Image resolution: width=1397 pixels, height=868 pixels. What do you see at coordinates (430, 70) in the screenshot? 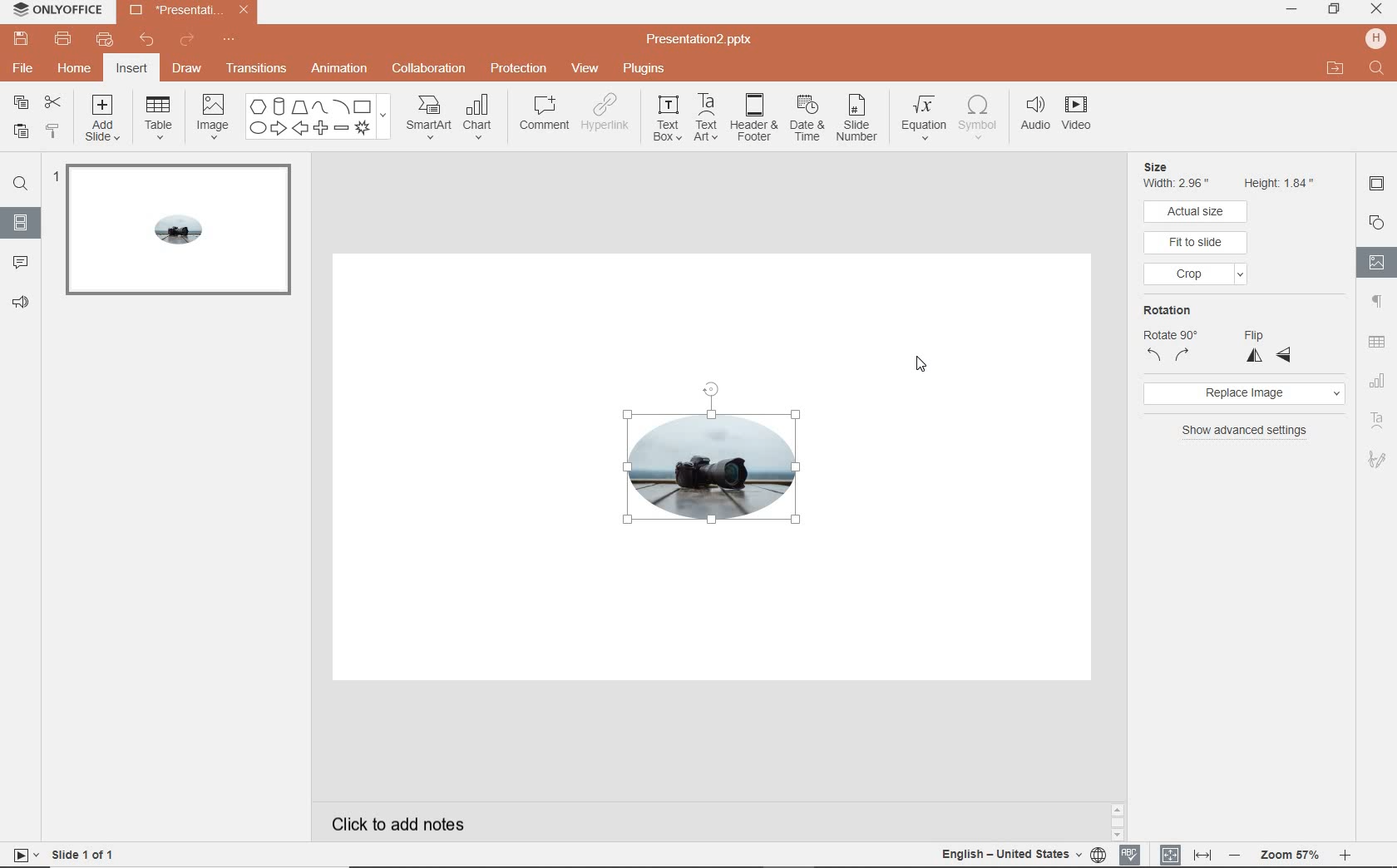
I see `collaboration` at bounding box center [430, 70].